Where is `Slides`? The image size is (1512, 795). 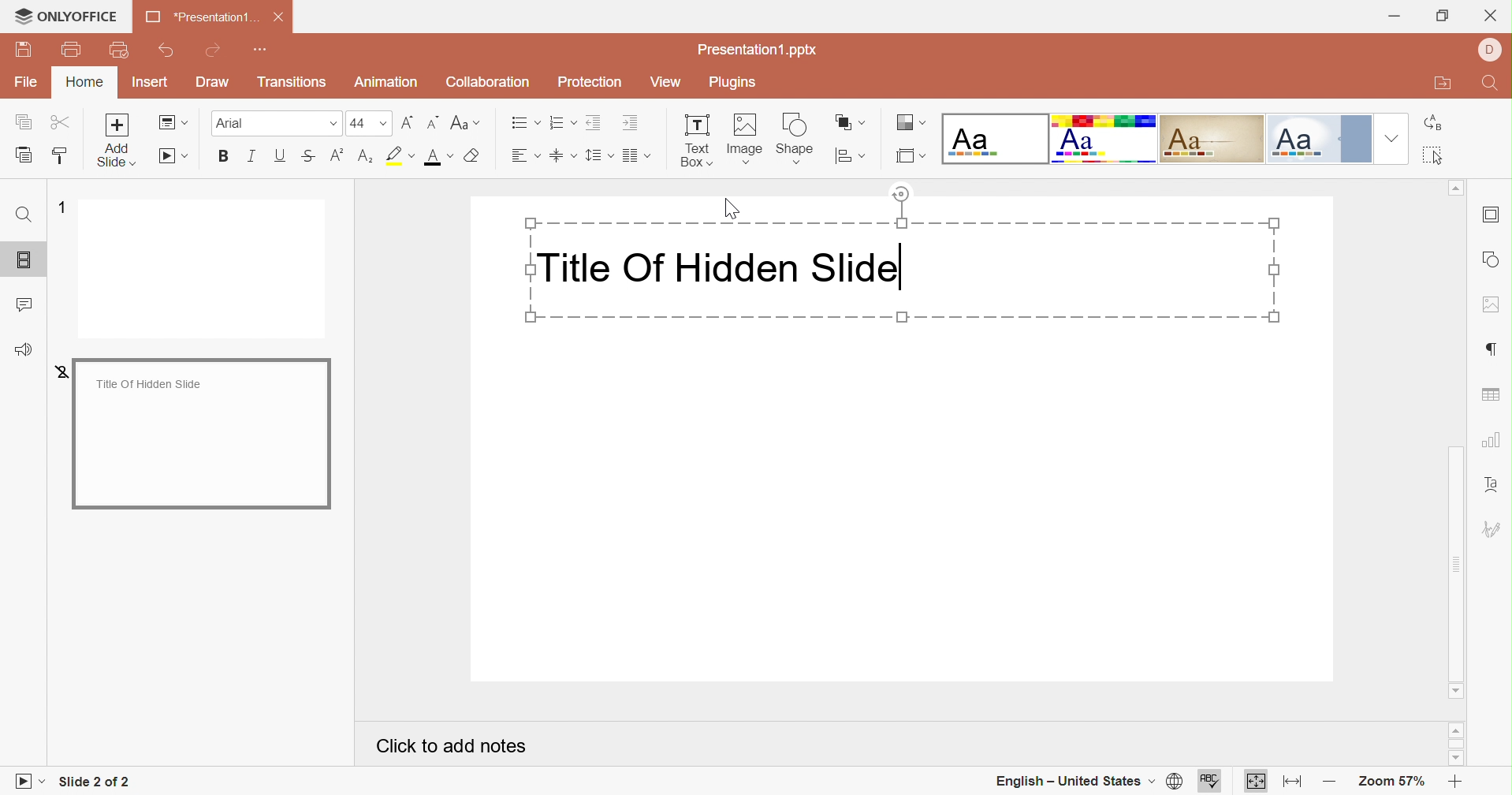 Slides is located at coordinates (19, 259).